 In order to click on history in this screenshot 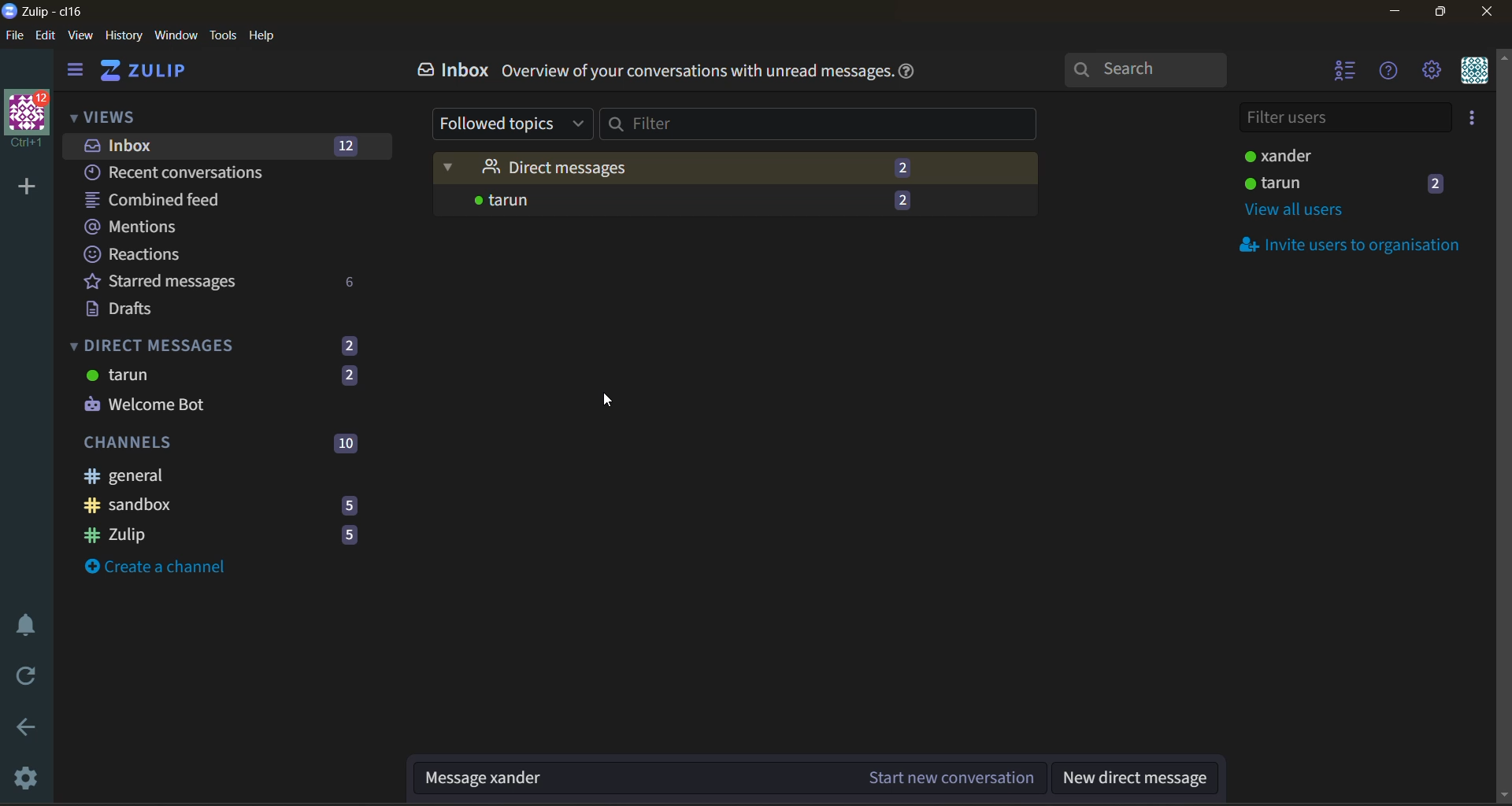, I will do `click(126, 36)`.